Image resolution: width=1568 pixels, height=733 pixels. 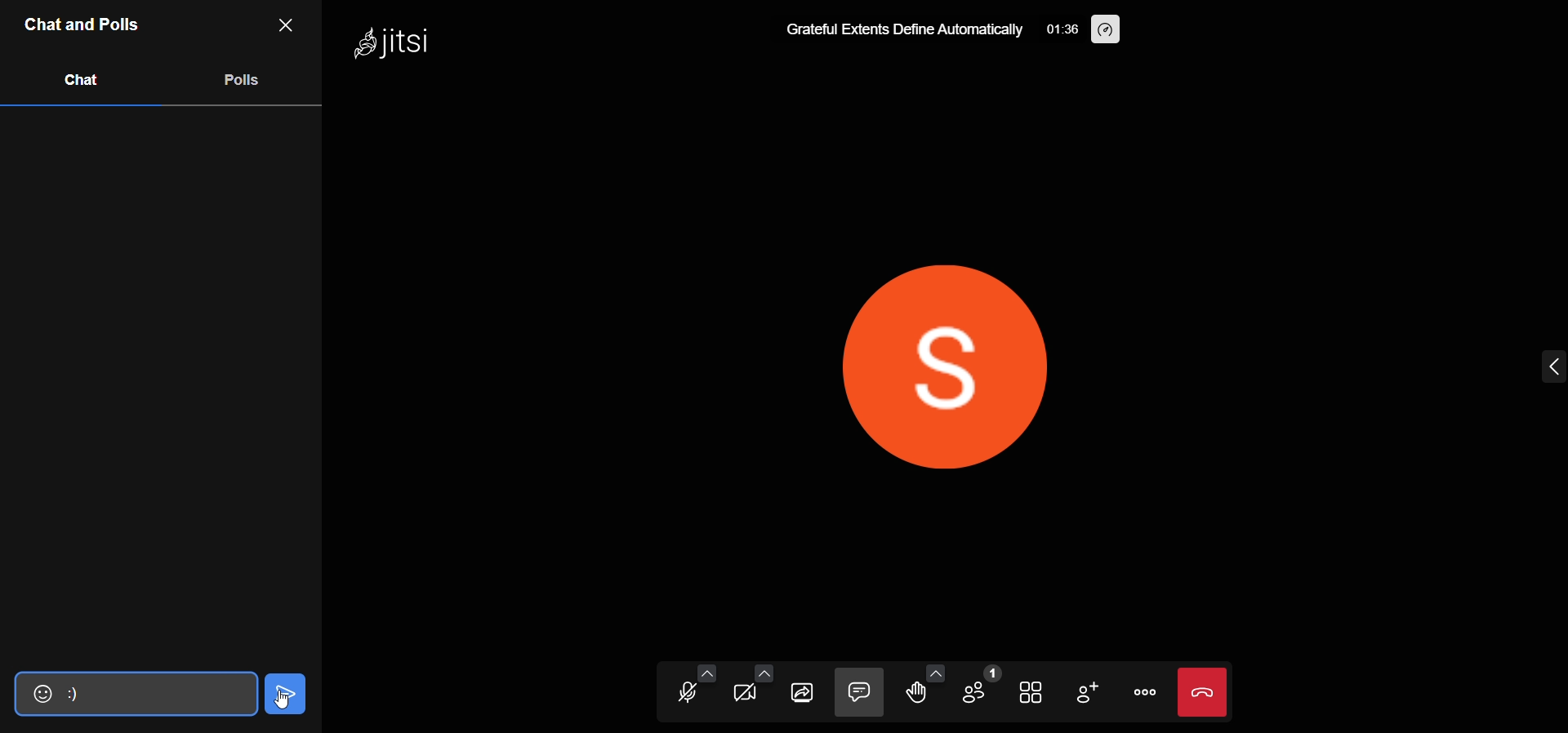 I want to click on meeting title, so click(x=902, y=29).